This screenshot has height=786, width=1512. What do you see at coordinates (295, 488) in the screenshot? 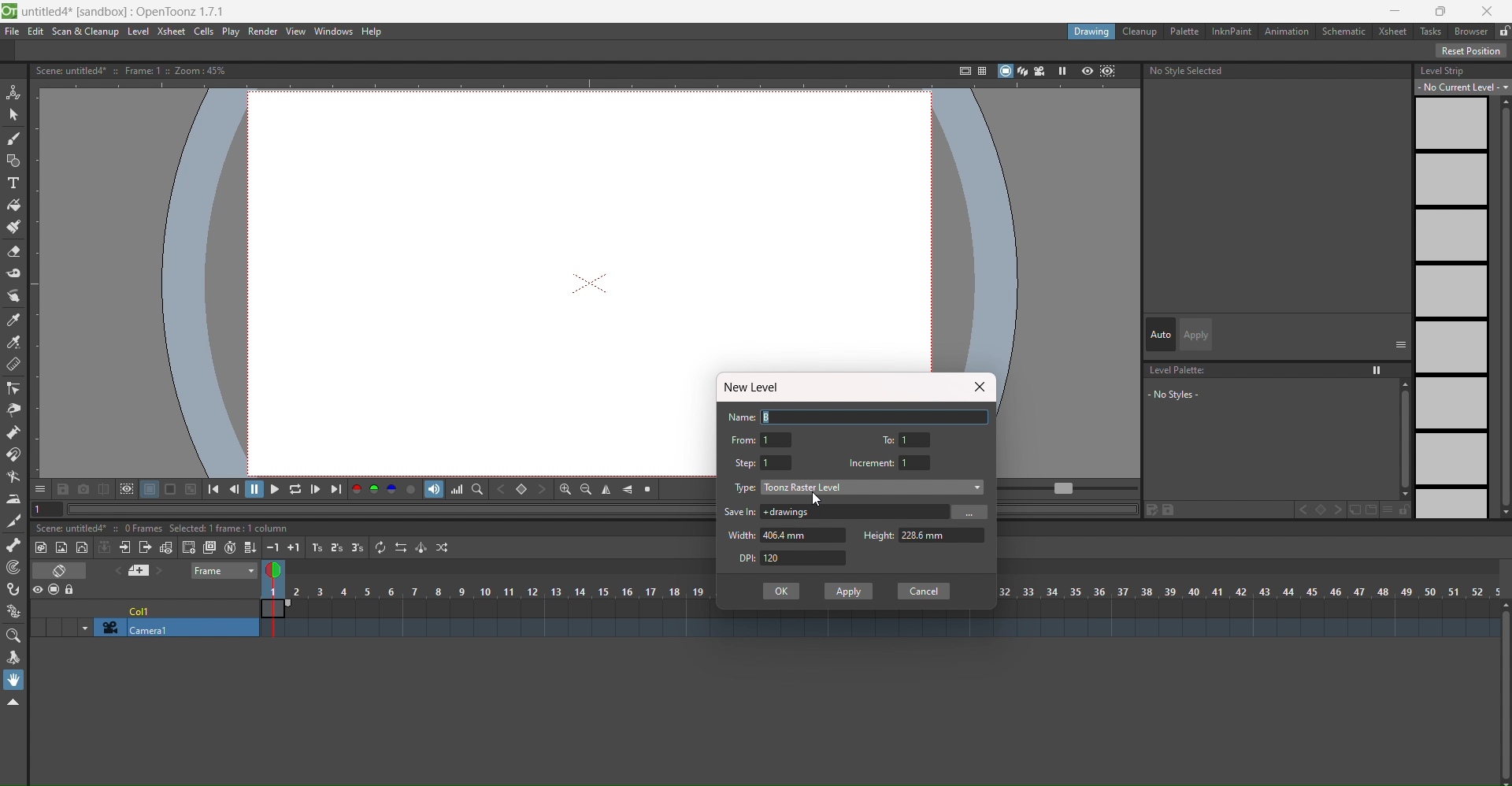
I see `loop` at bounding box center [295, 488].